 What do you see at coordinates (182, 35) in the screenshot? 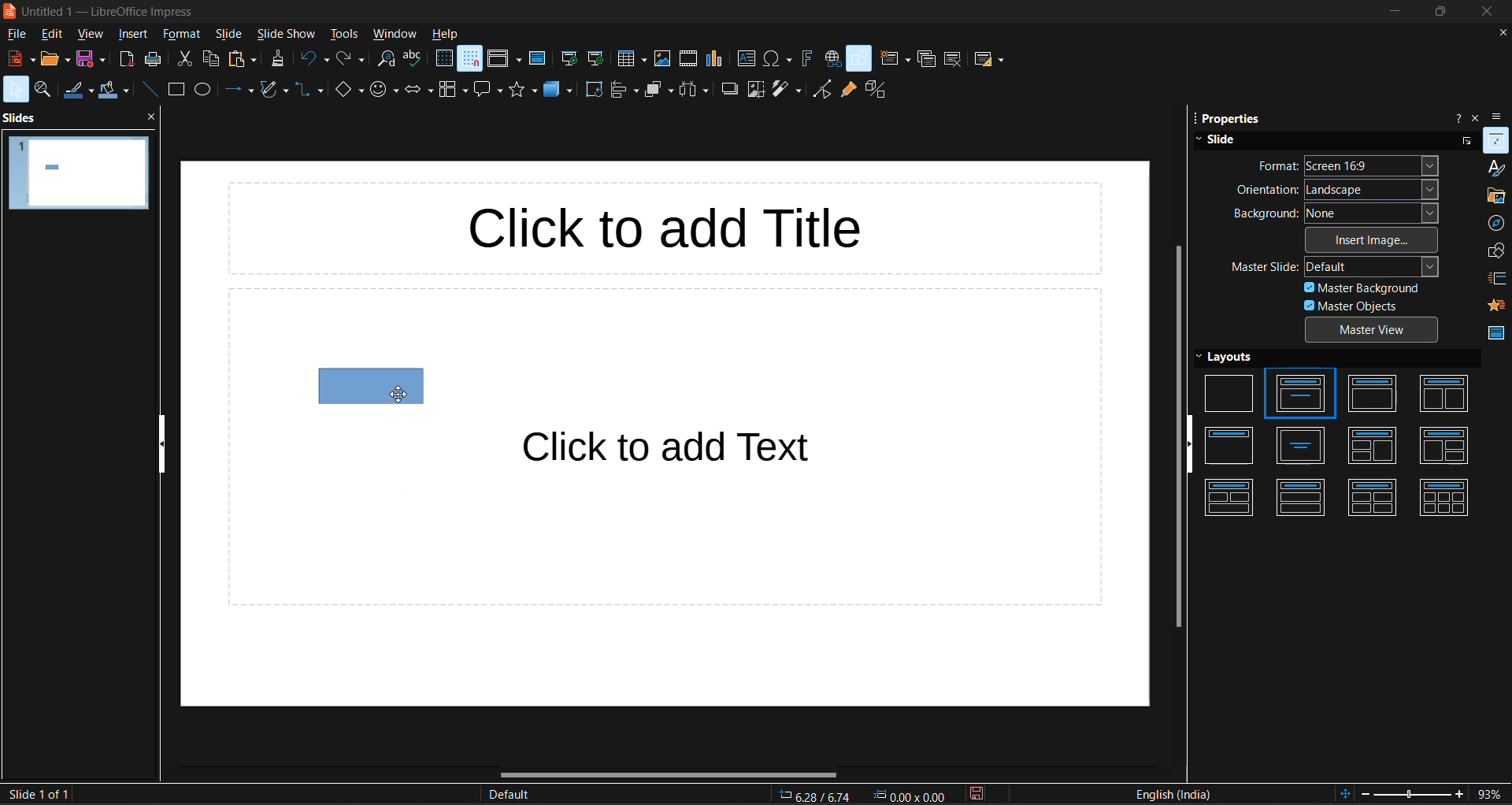
I see `format` at bounding box center [182, 35].